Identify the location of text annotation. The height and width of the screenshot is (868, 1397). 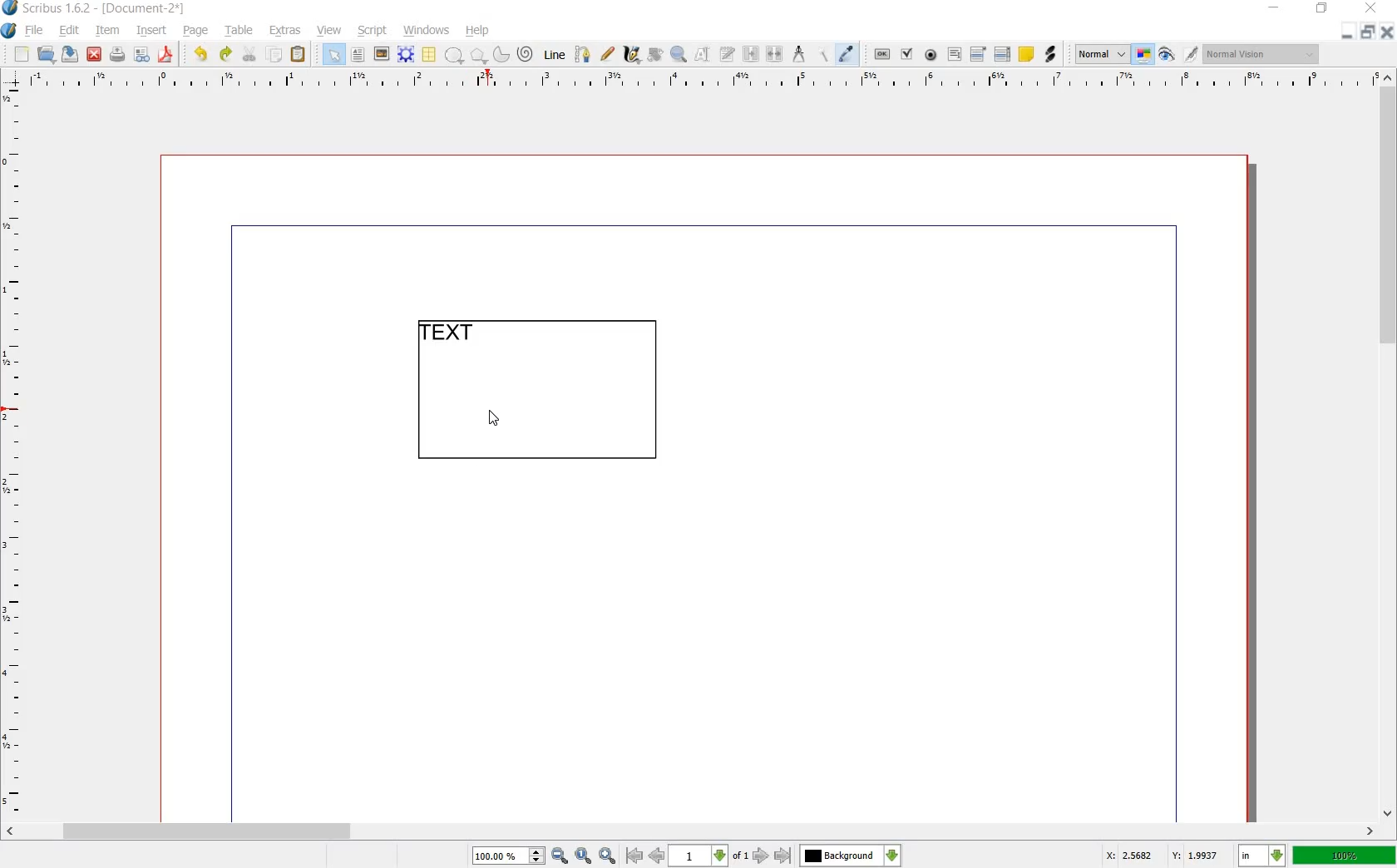
(1026, 54).